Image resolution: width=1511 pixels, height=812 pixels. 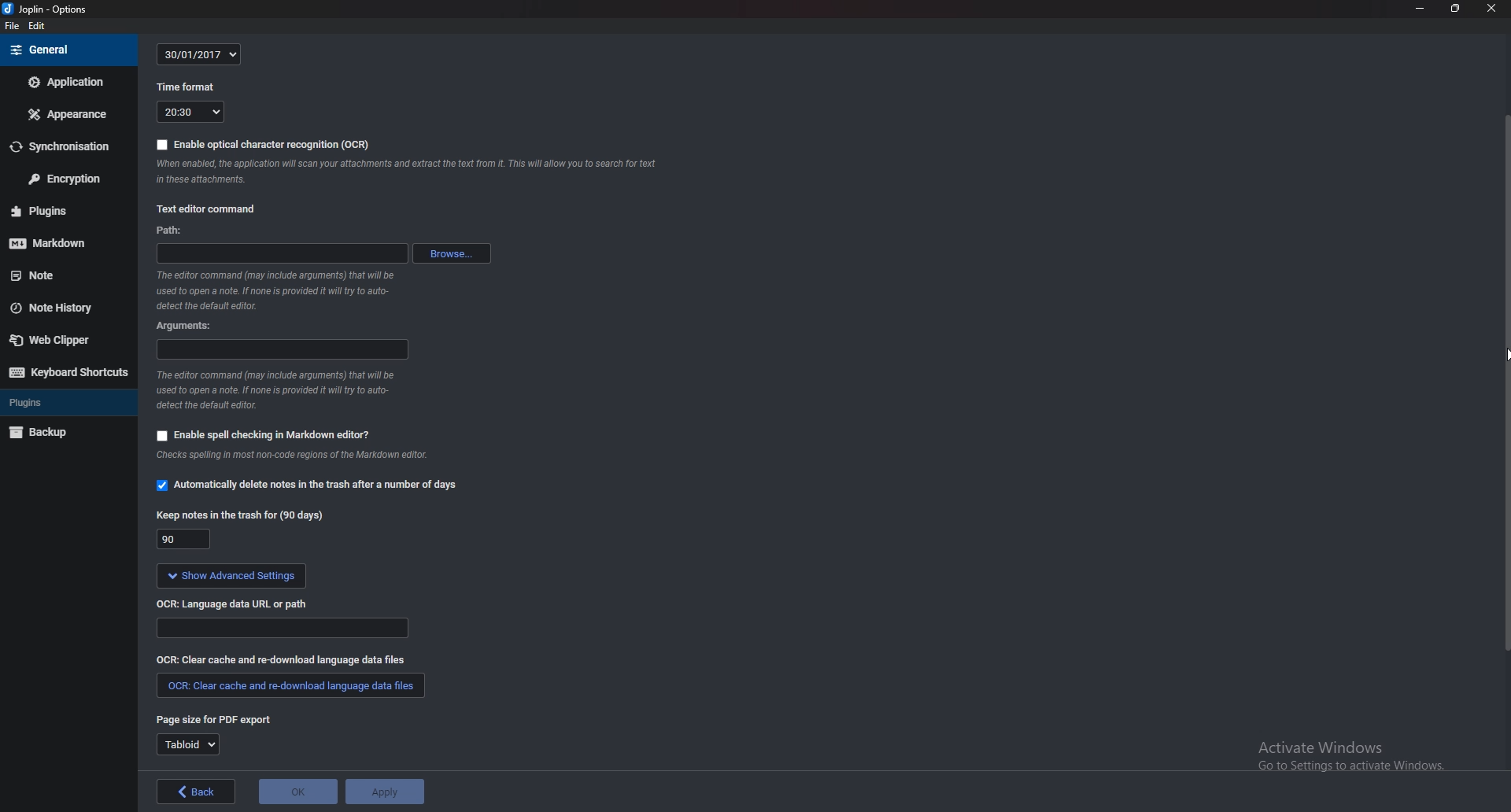 What do you see at coordinates (65, 146) in the screenshot?
I see `Synchronization` at bounding box center [65, 146].